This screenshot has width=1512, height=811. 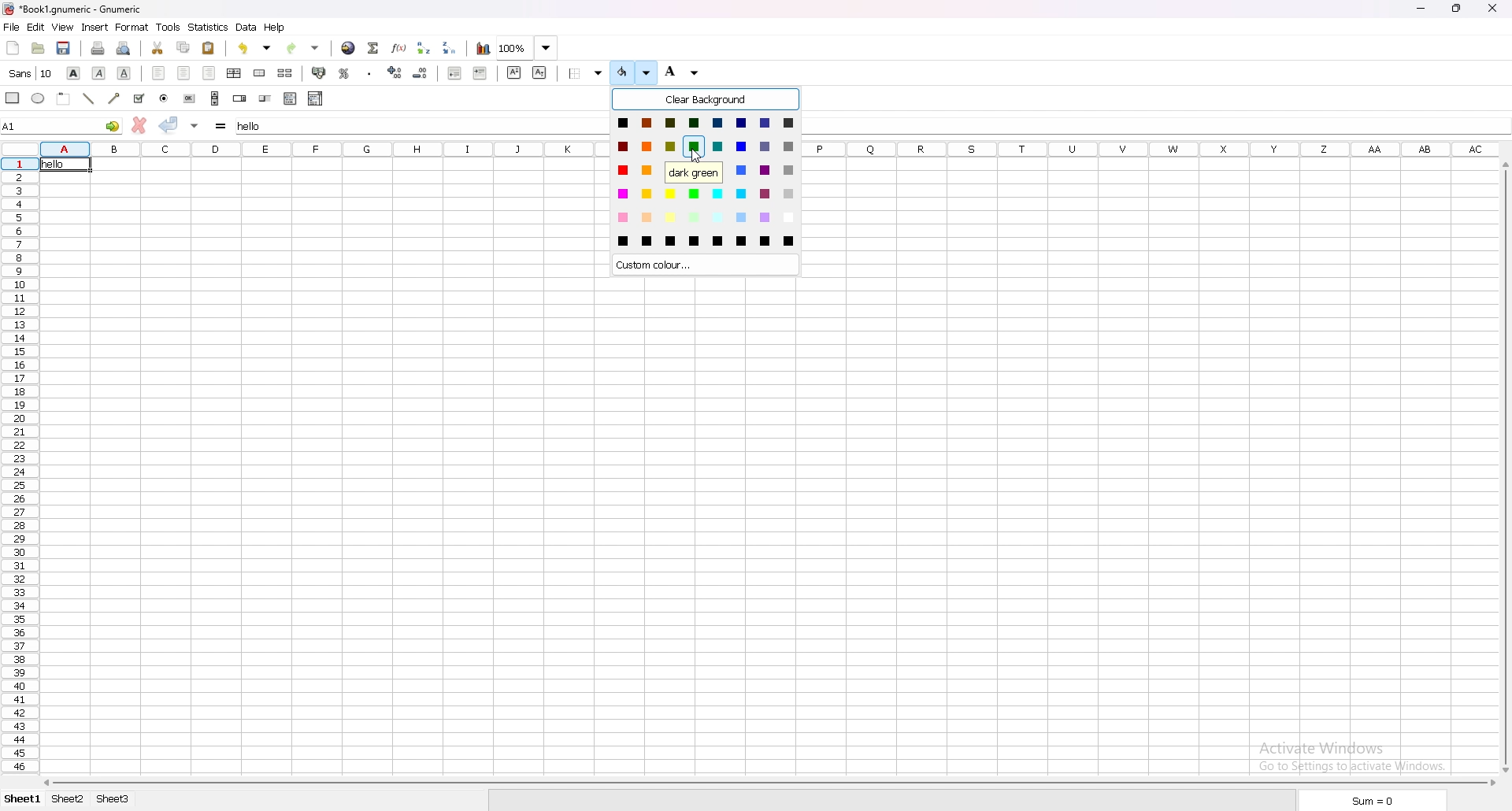 What do you see at coordinates (694, 172) in the screenshot?
I see `cursor description` at bounding box center [694, 172].